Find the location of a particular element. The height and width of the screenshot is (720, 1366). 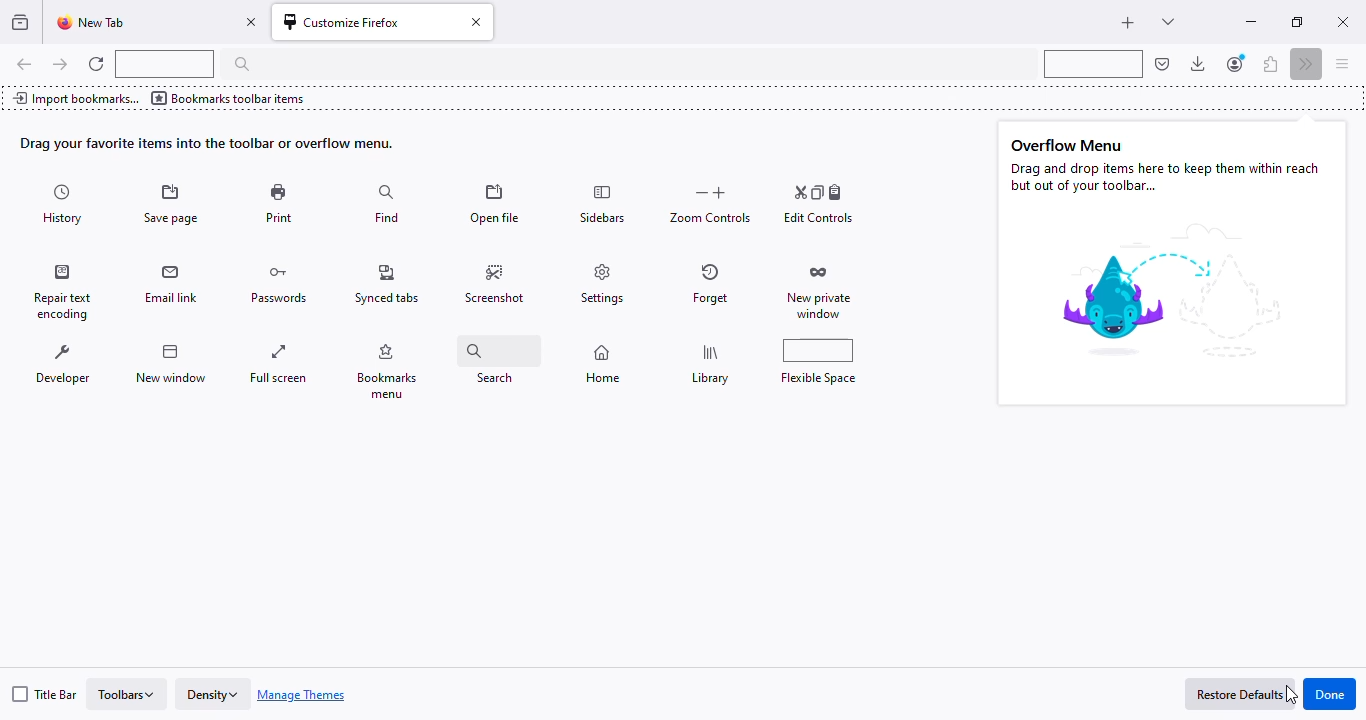

open file is located at coordinates (496, 205).